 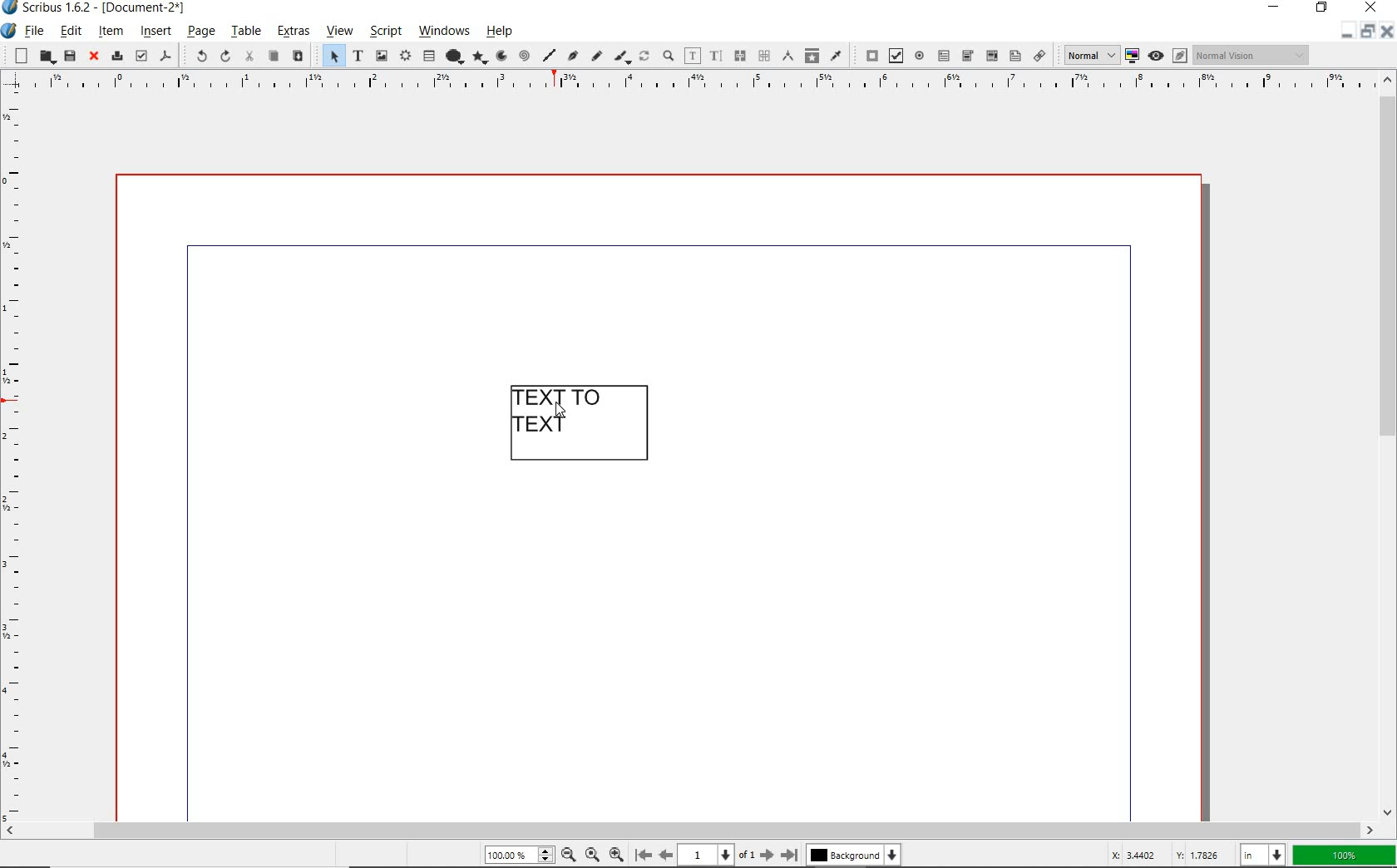 I want to click on scrollbar, so click(x=1389, y=445).